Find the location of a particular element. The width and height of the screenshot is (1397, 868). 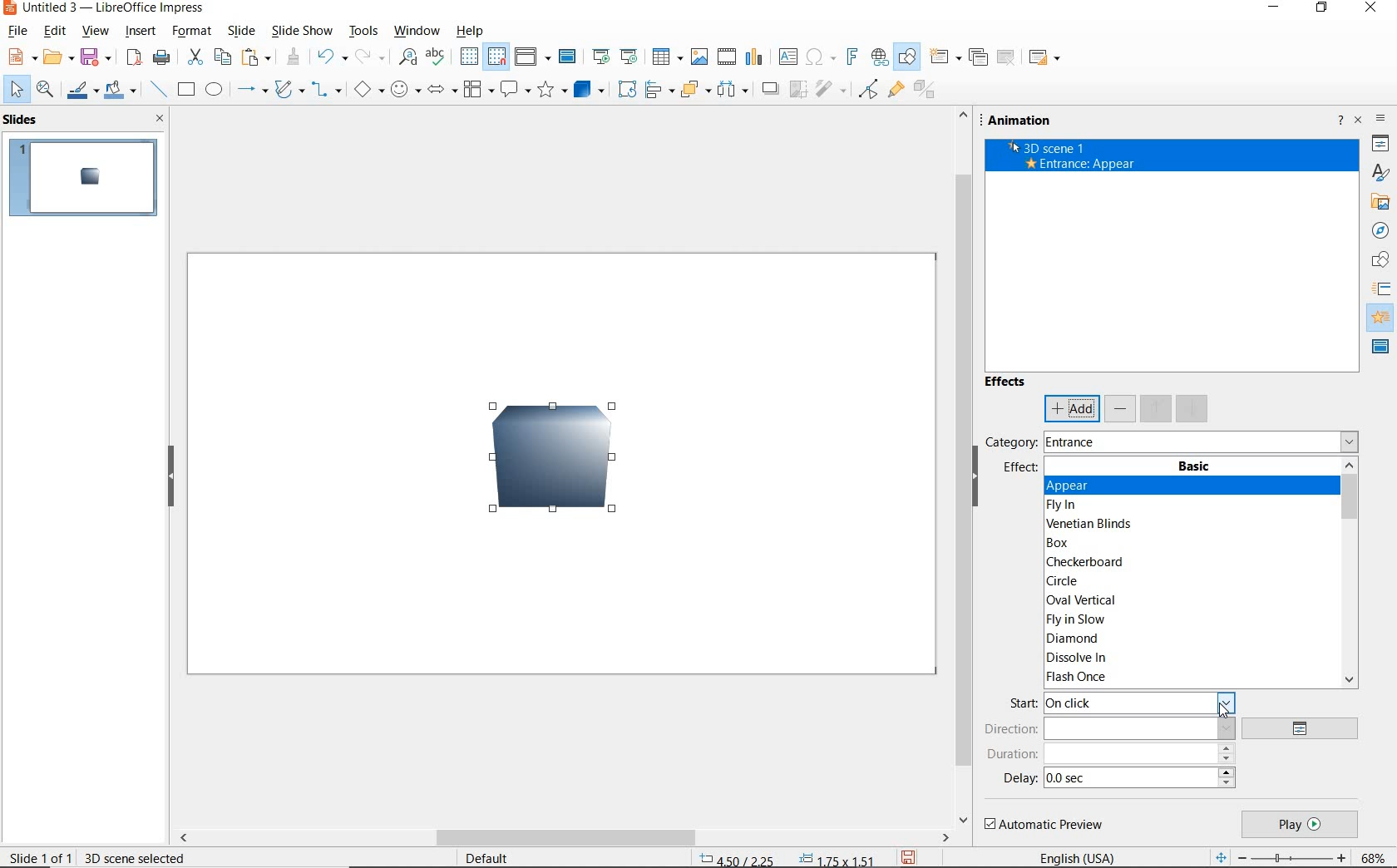

SIDEBAR SETTINGS is located at coordinates (1383, 121).